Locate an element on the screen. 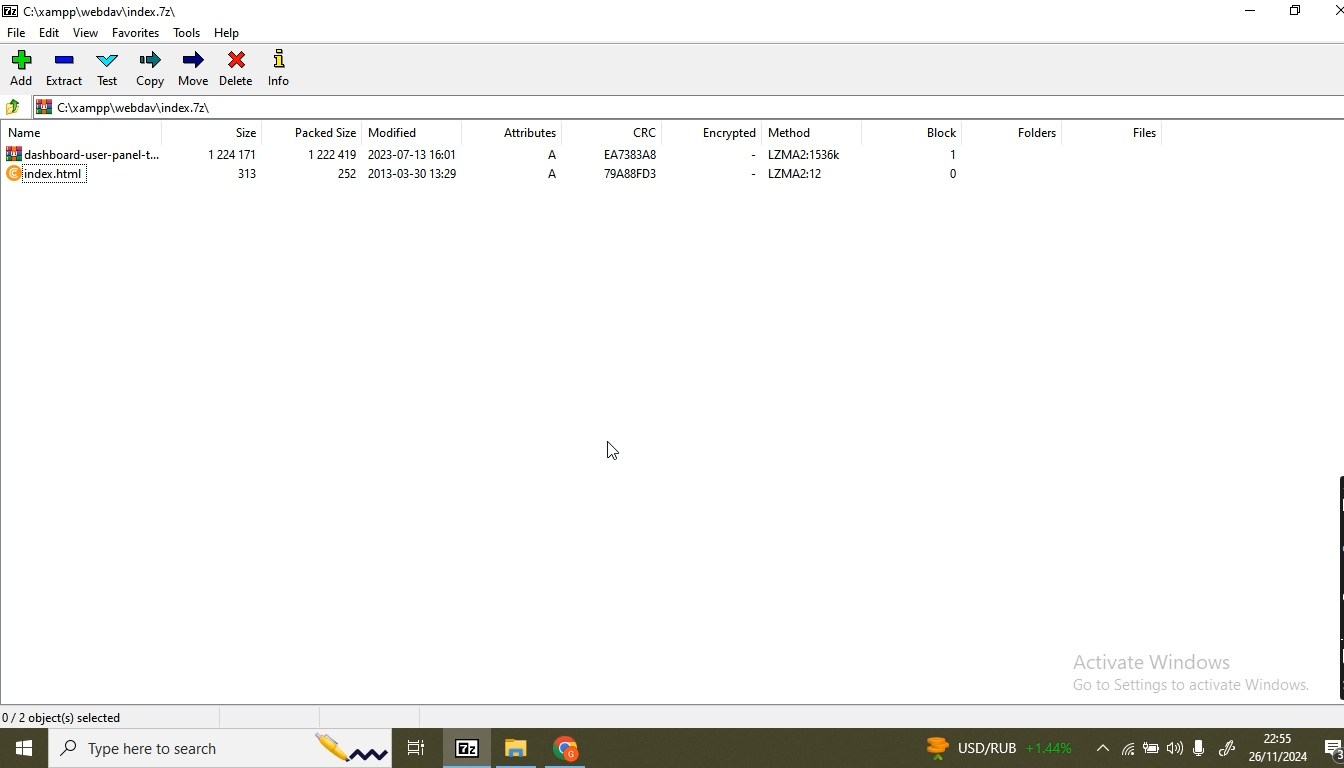  Pointer is located at coordinates (609, 451).